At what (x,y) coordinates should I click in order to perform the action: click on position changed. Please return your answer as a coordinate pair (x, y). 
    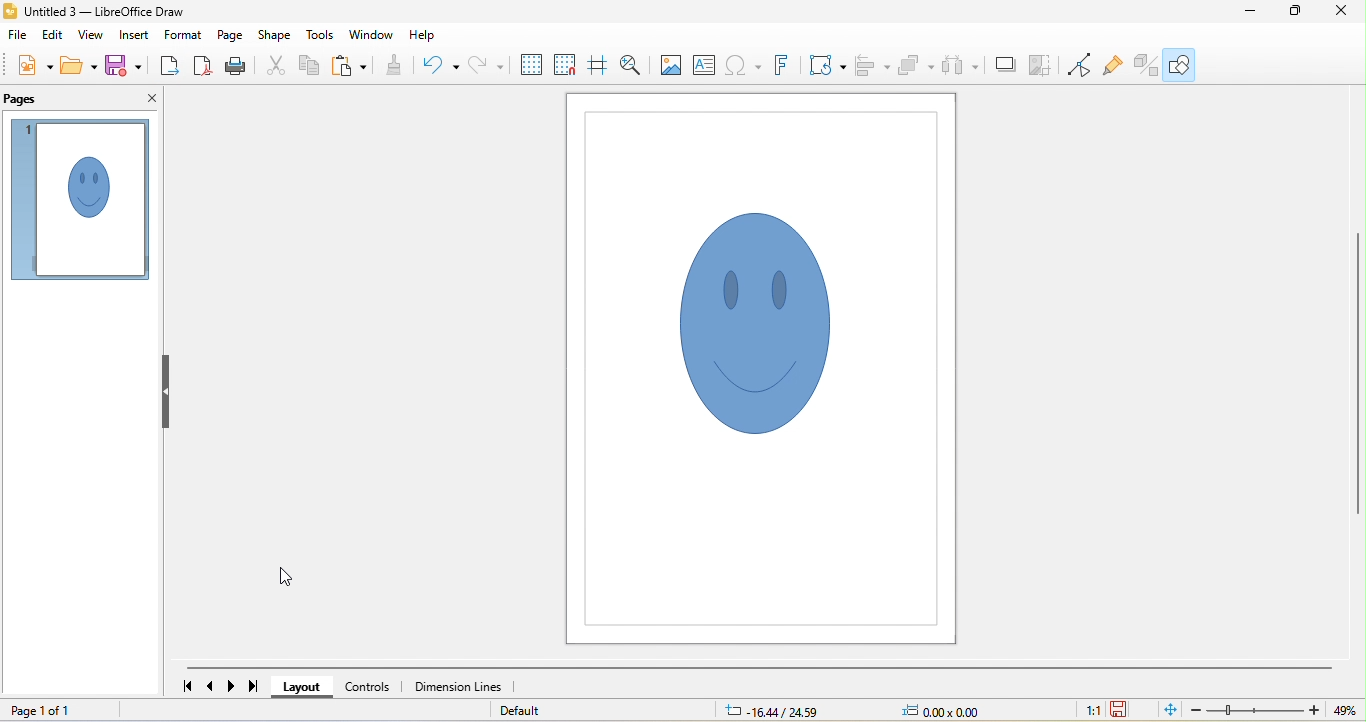
    Looking at the image, I should click on (774, 710).